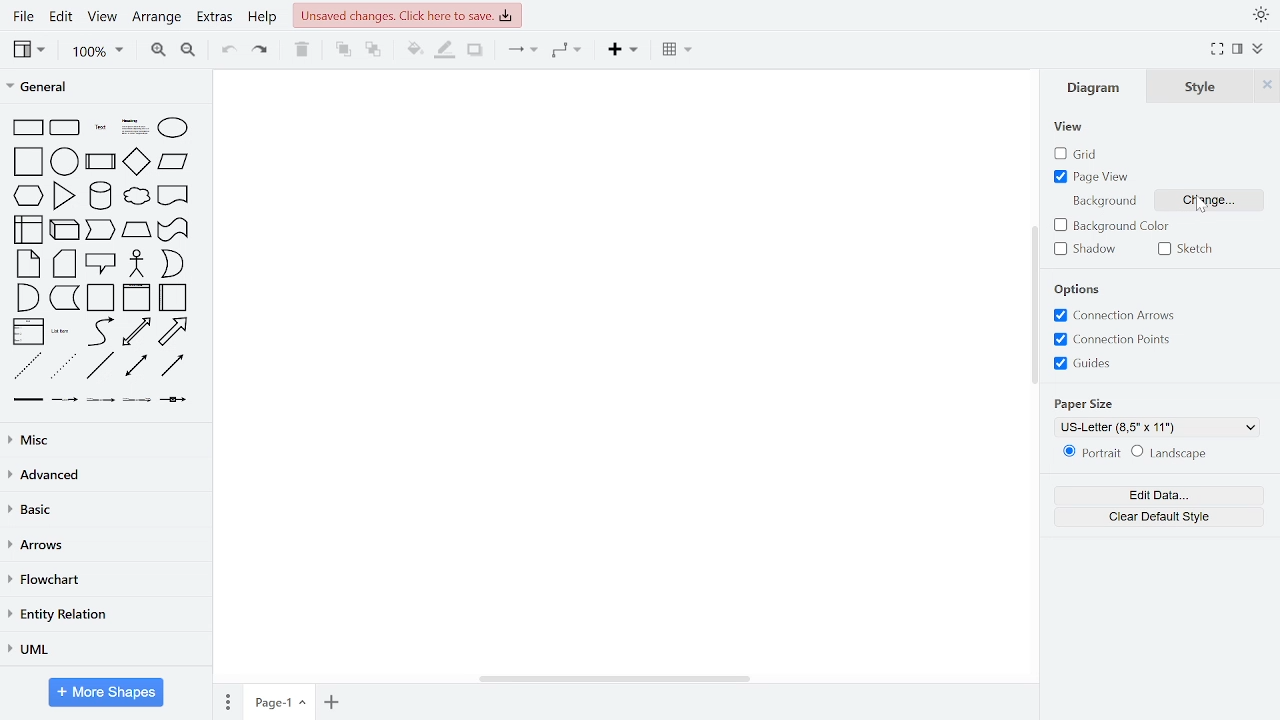  What do you see at coordinates (1258, 49) in the screenshot?
I see `collapse` at bounding box center [1258, 49].